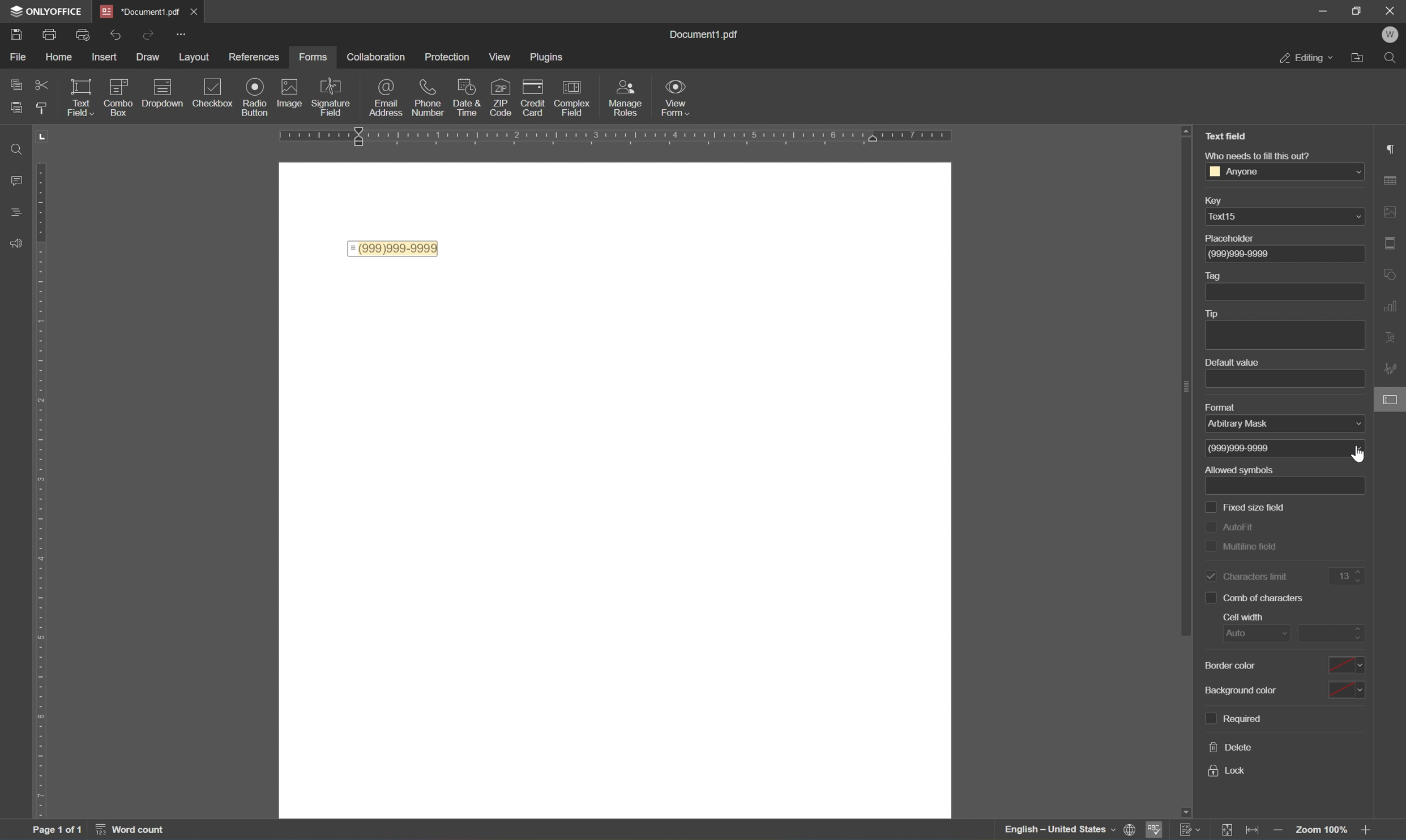 Image resolution: width=1406 pixels, height=840 pixels. What do you see at coordinates (1234, 172) in the screenshot?
I see `anyone` at bounding box center [1234, 172].